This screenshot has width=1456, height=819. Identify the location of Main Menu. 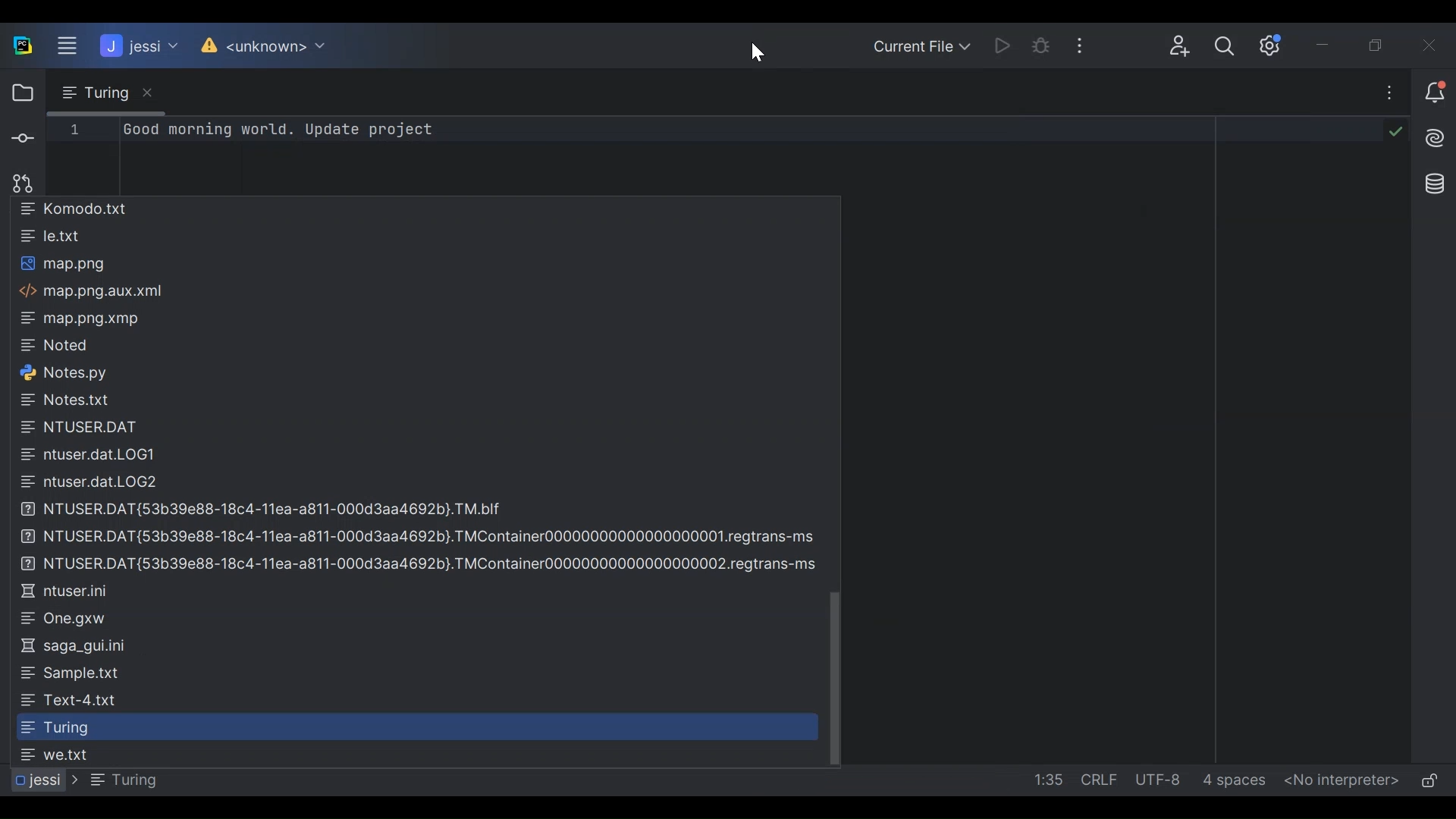
(62, 46).